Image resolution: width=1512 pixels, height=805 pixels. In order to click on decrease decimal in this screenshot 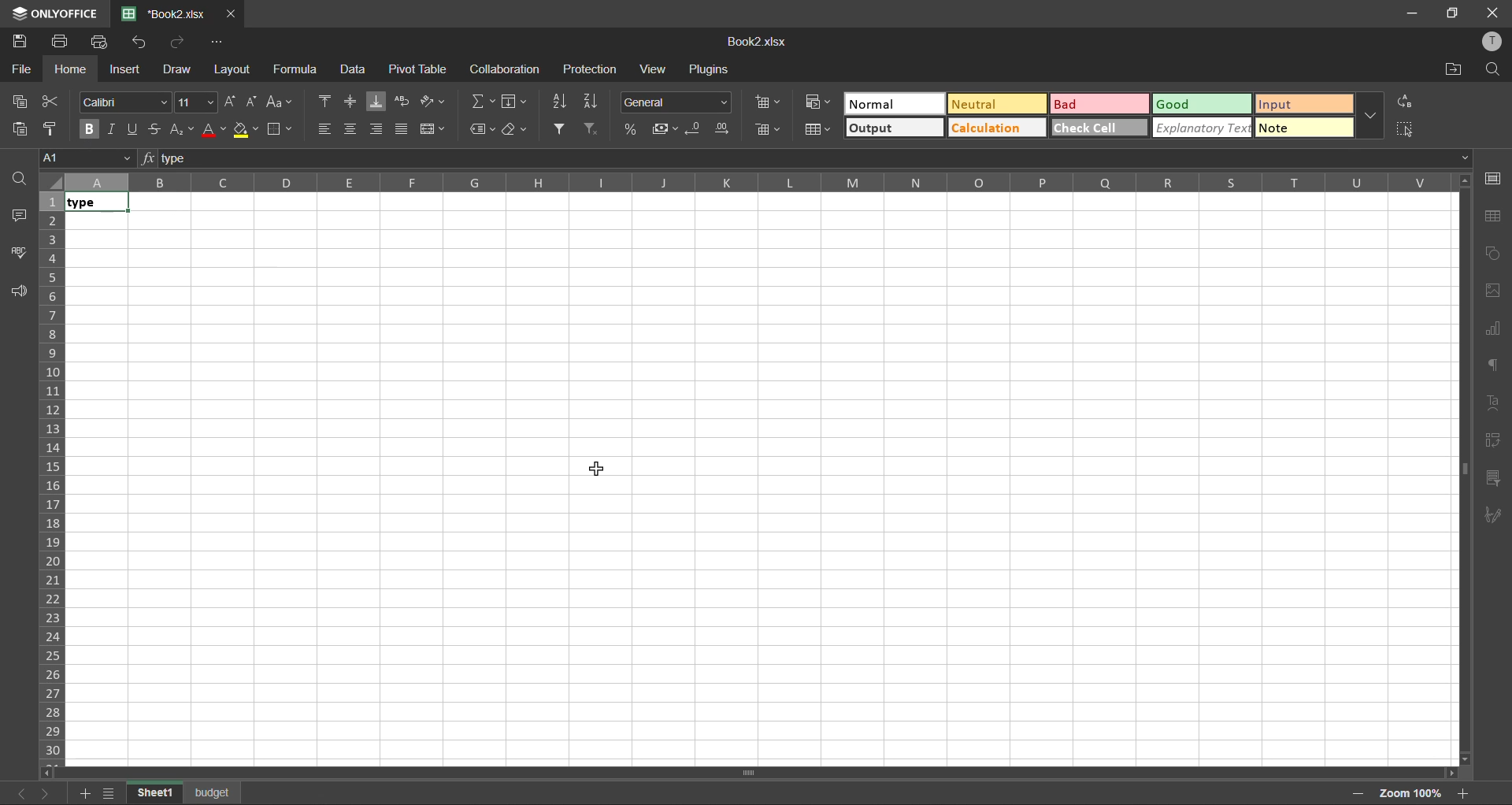, I will do `click(696, 128)`.